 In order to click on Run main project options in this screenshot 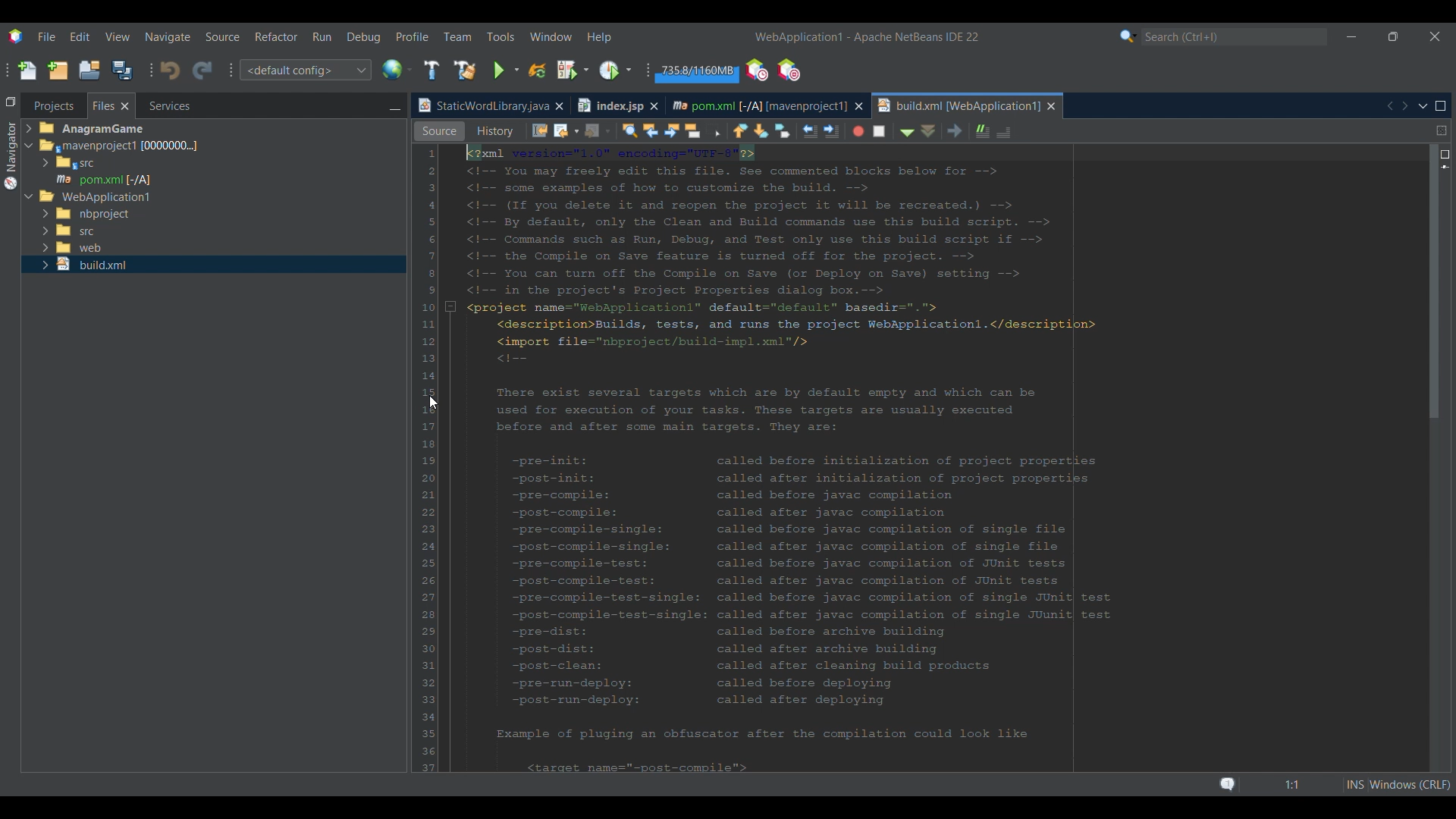, I will do `click(507, 71)`.